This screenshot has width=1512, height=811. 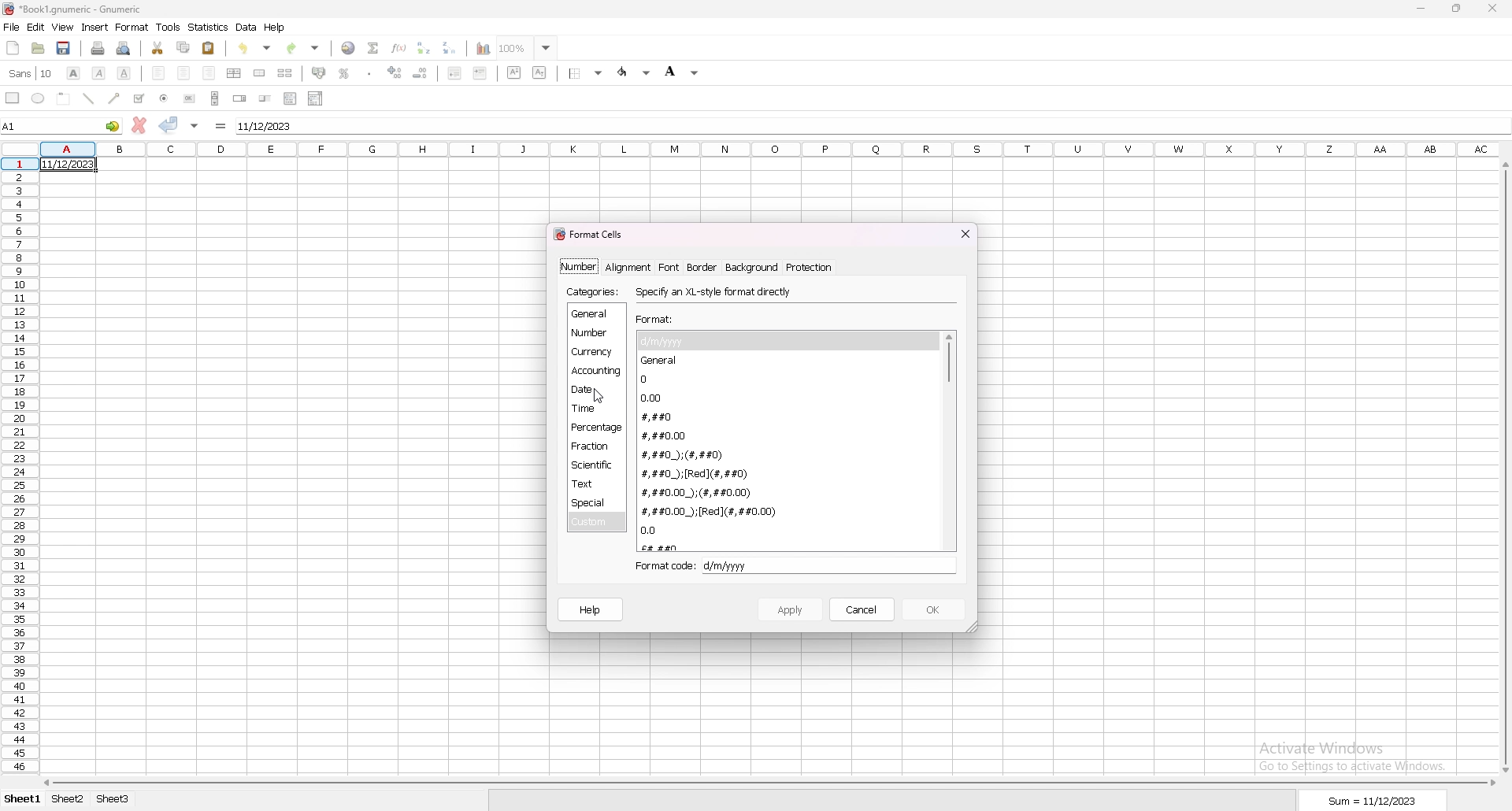 I want to click on #,##0.00_);(#,##0.00), so click(x=697, y=491).